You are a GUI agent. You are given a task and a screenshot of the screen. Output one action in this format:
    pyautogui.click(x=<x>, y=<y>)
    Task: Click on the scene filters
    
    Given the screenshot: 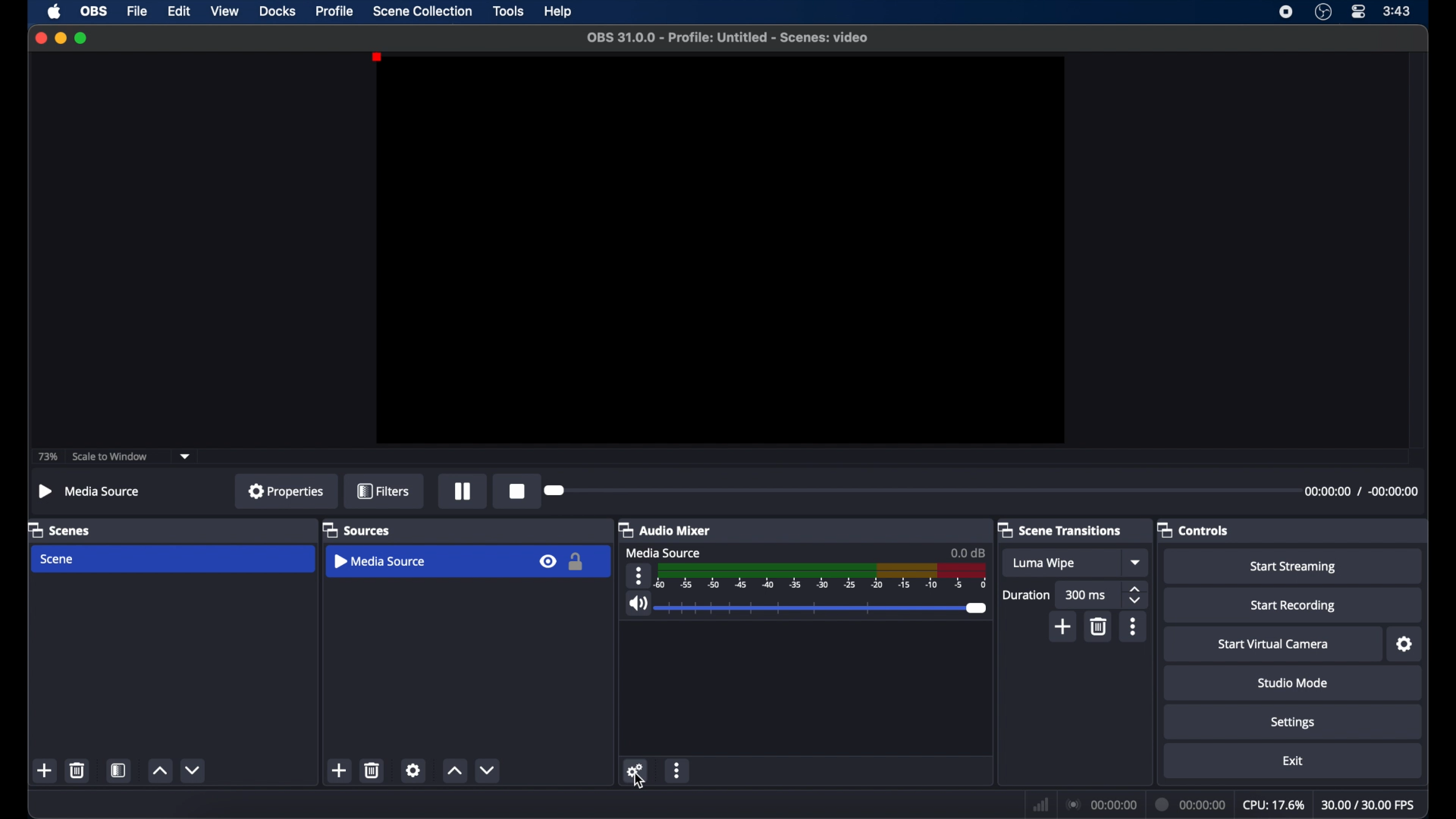 What is the action you would take?
    pyautogui.click(x=119, y=770)
    